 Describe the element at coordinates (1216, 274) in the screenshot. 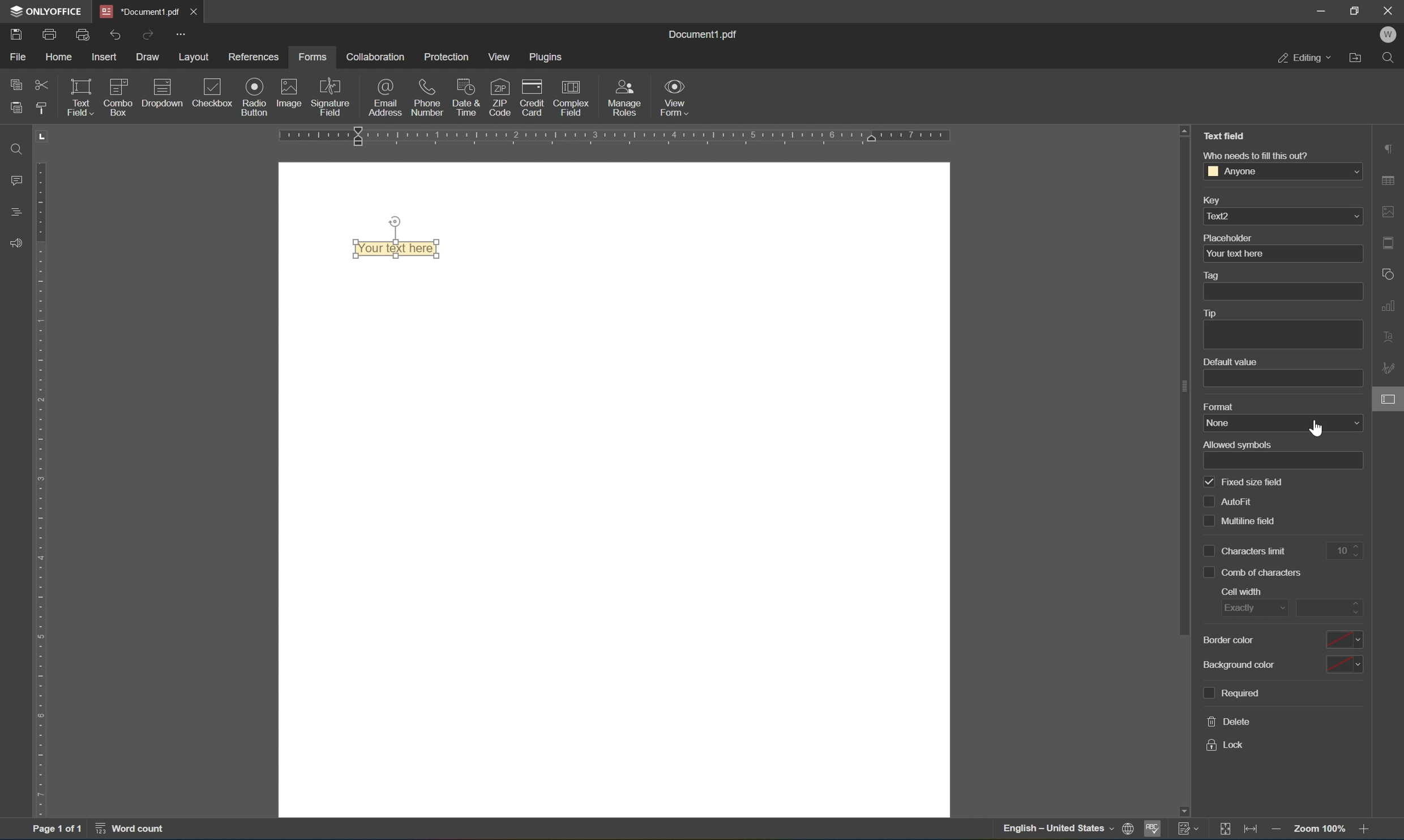

I see `tag` at that location.